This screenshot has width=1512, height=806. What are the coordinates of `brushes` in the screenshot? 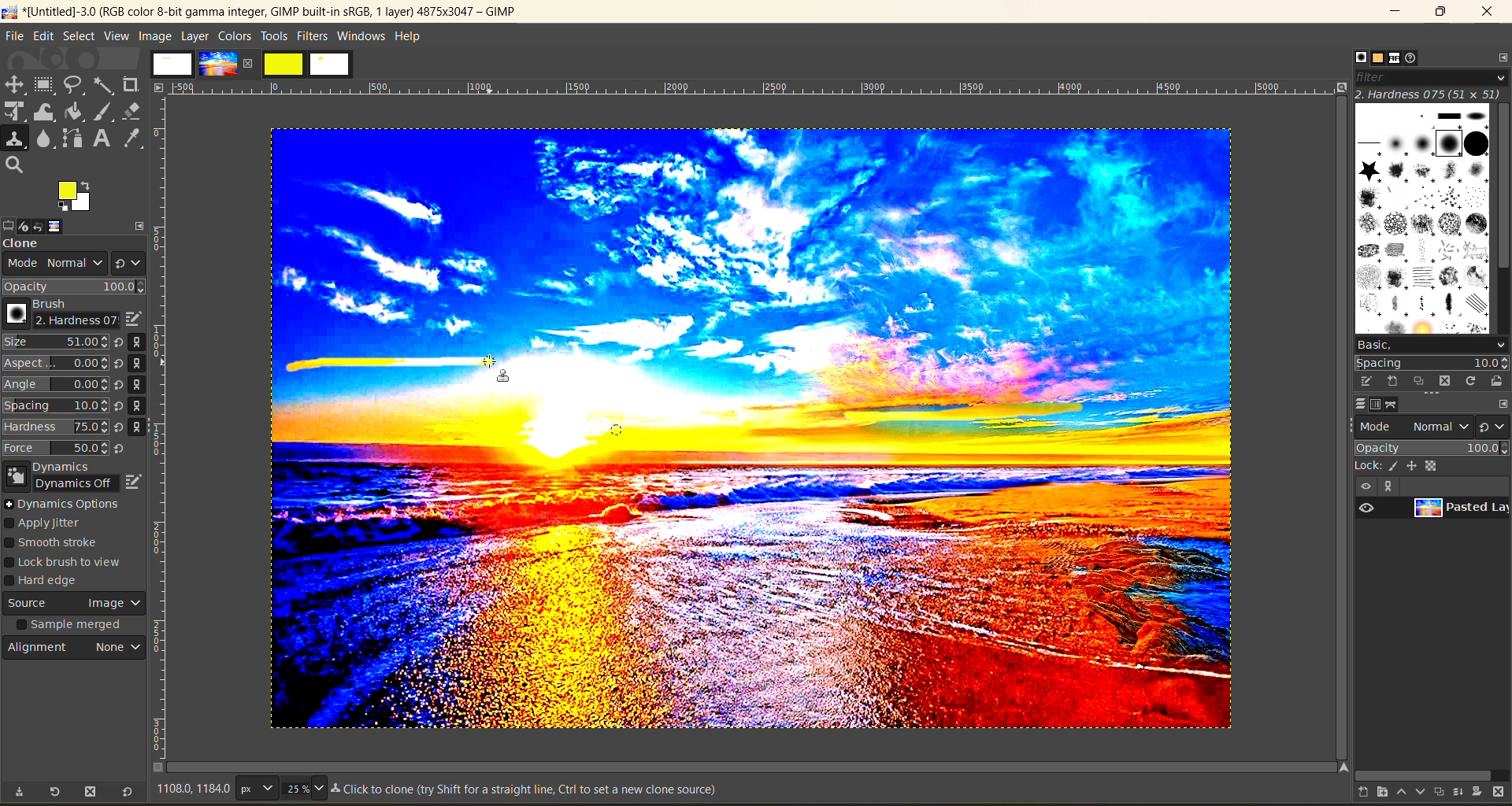 It's located at (1355, 57).